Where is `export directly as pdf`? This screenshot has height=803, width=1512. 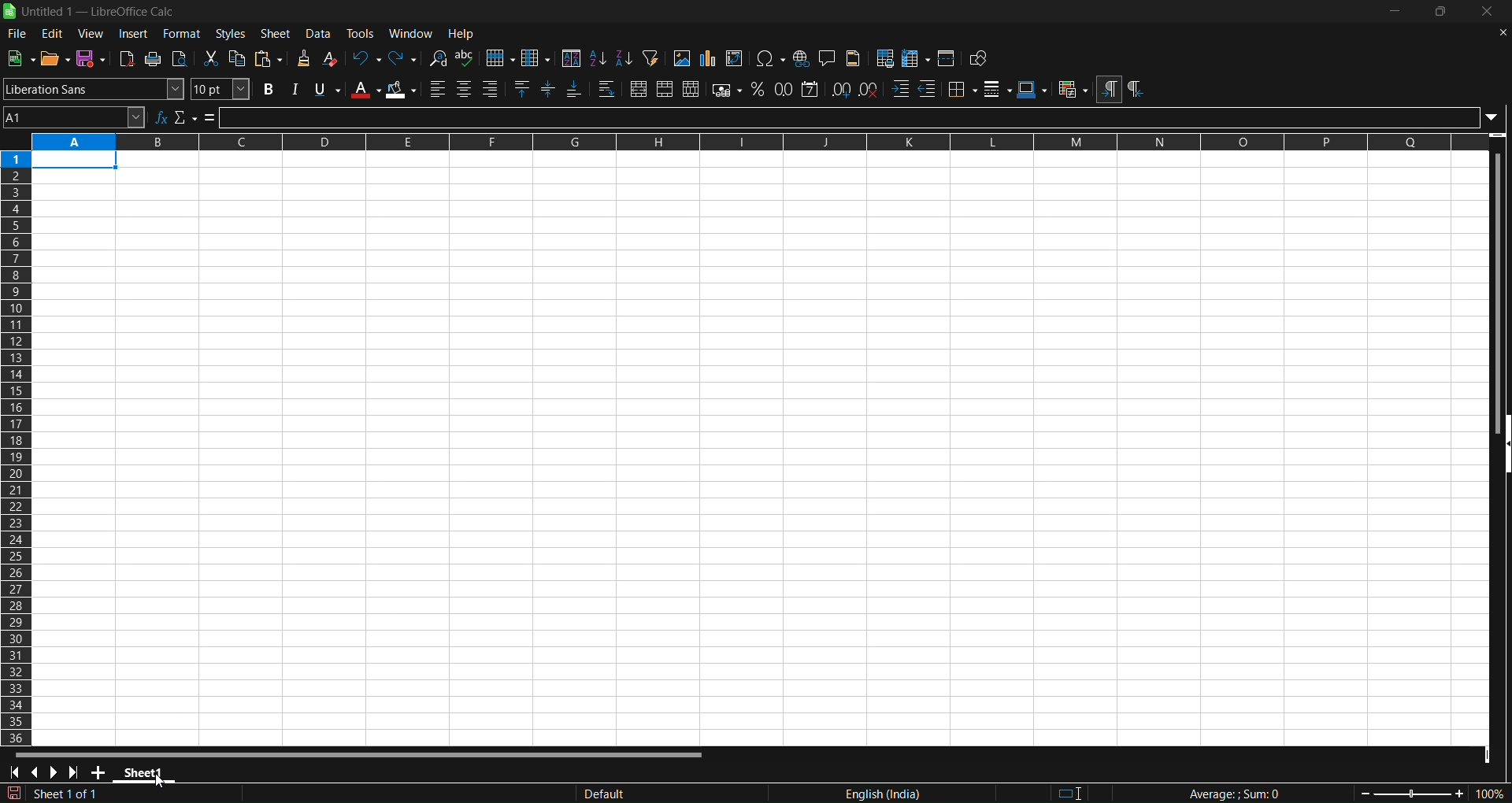 export directly as pdf is located at coordinates (128, 58).